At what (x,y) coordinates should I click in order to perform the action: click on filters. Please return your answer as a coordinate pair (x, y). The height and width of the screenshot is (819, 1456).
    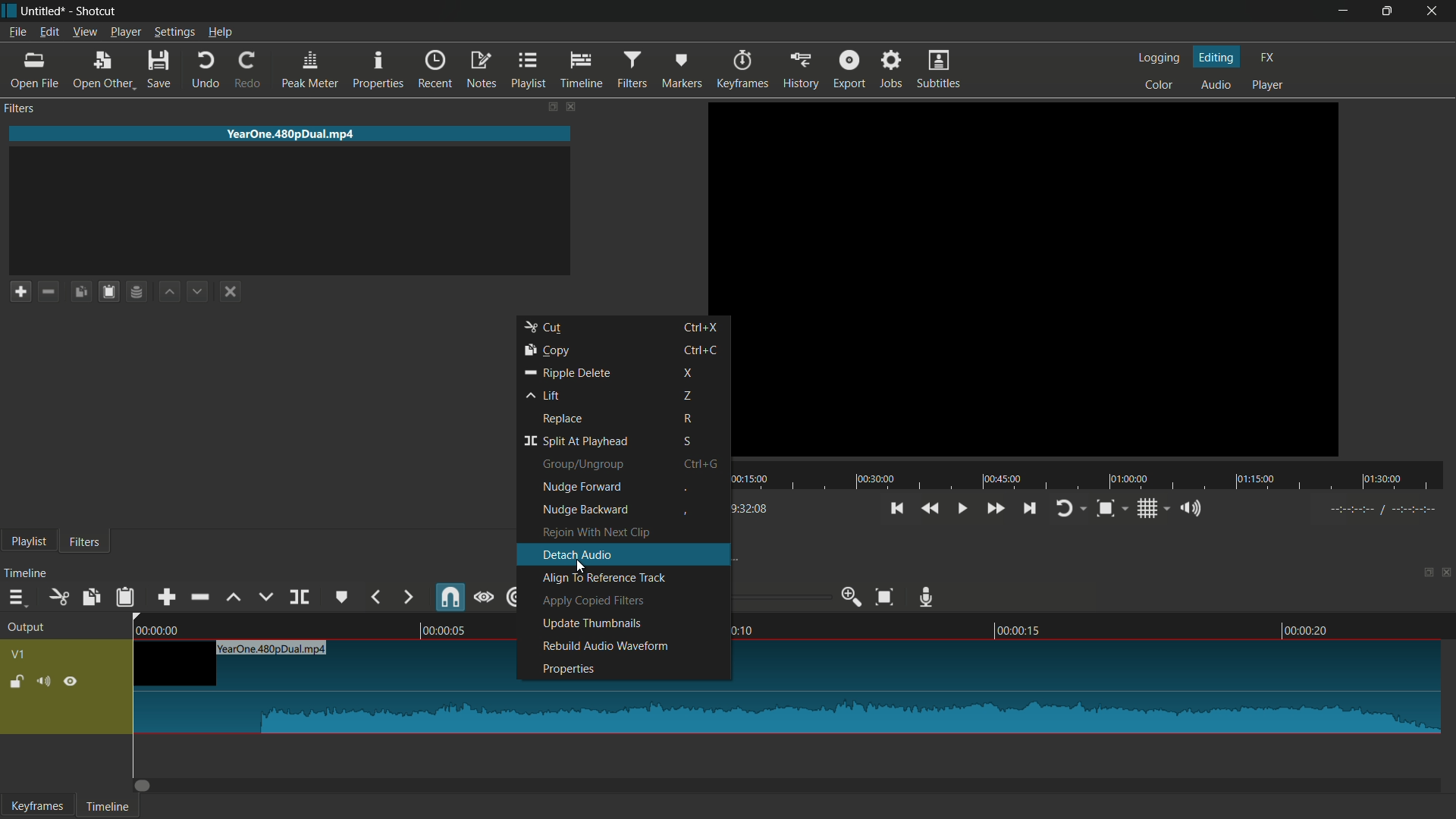
    Looking at the image, I should click on (20, 109).